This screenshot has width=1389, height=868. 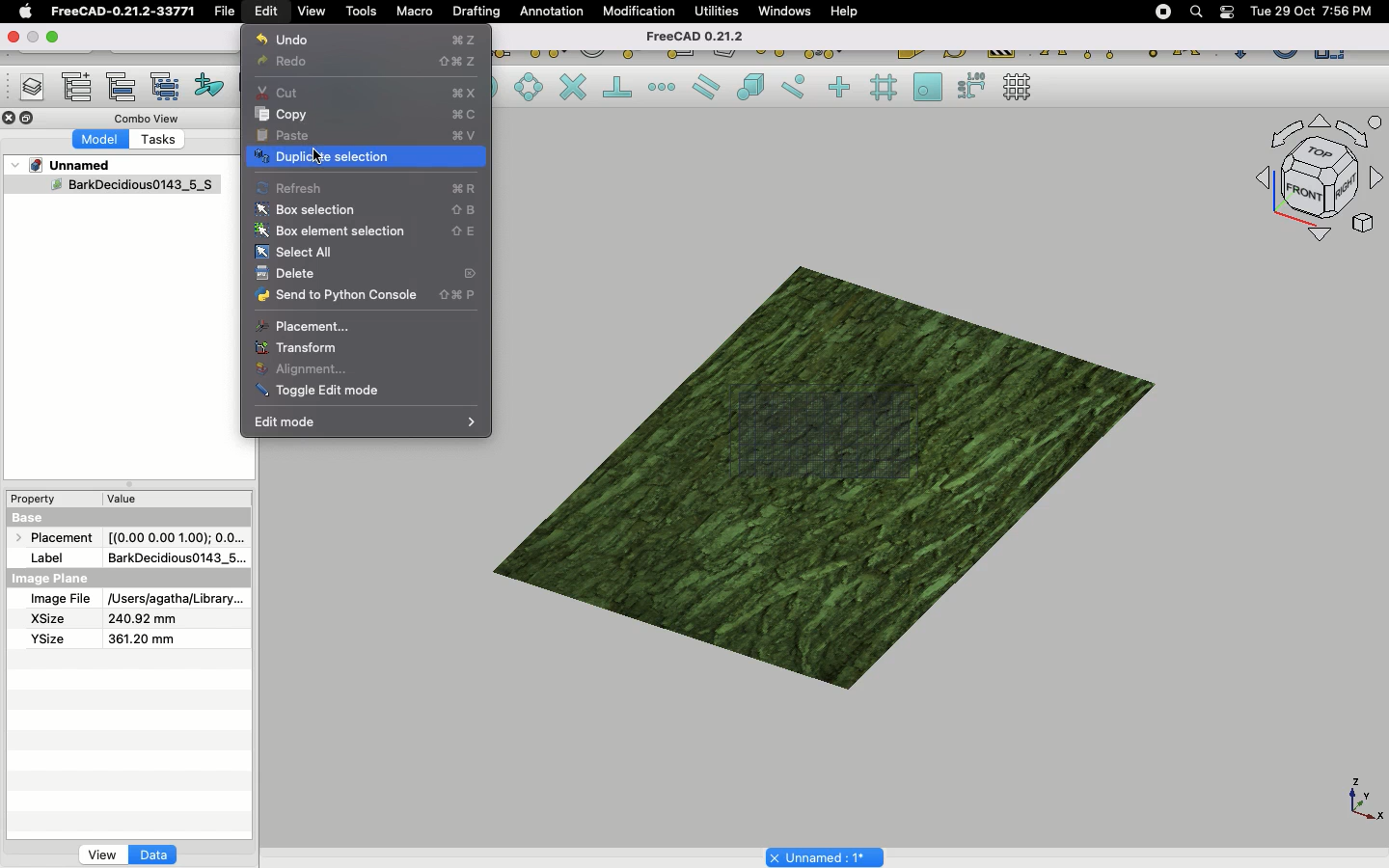 I want to click on Navigation styles, so click(x=1318, y=181).